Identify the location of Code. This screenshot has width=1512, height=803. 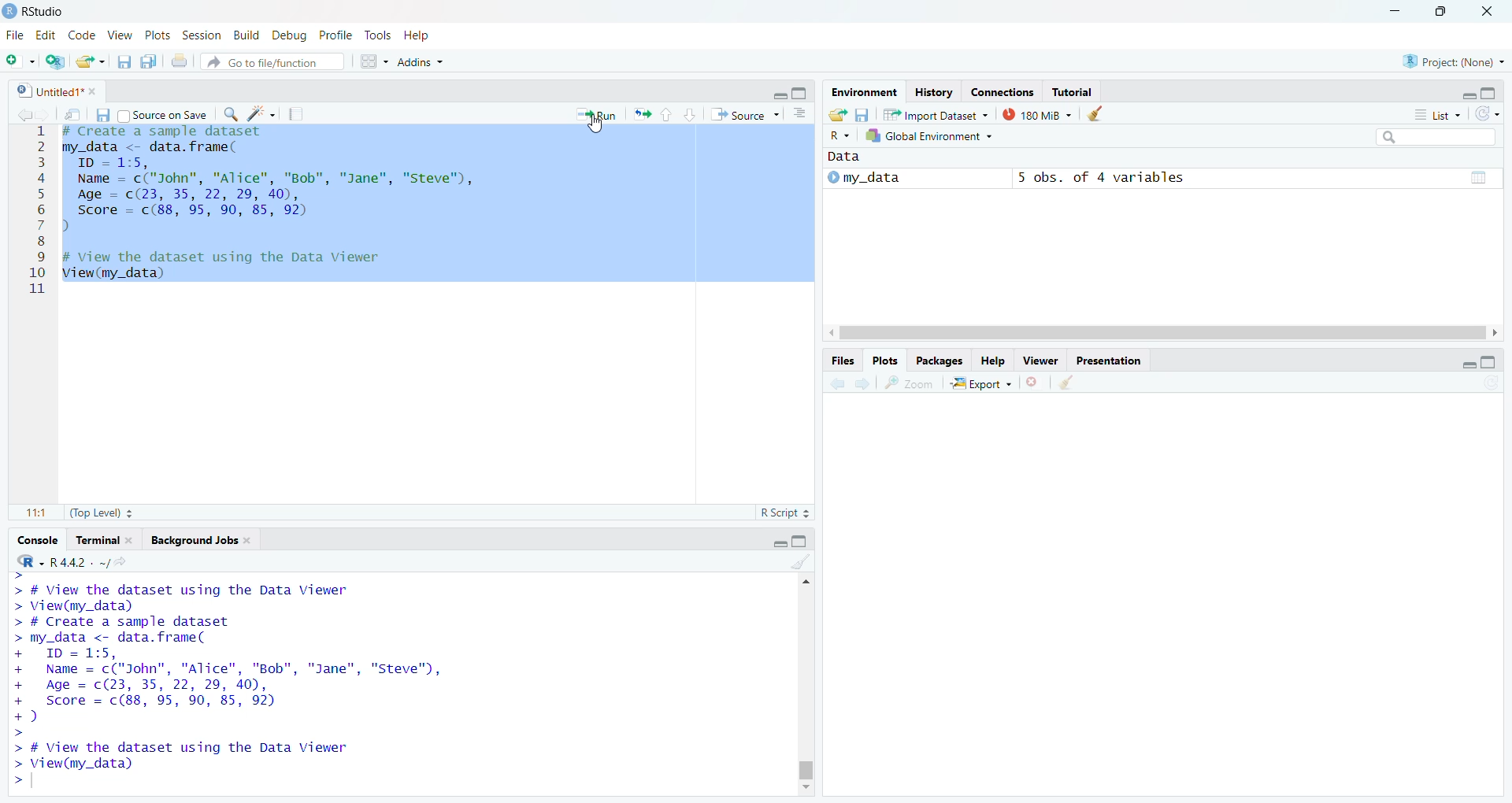
(85, 36).